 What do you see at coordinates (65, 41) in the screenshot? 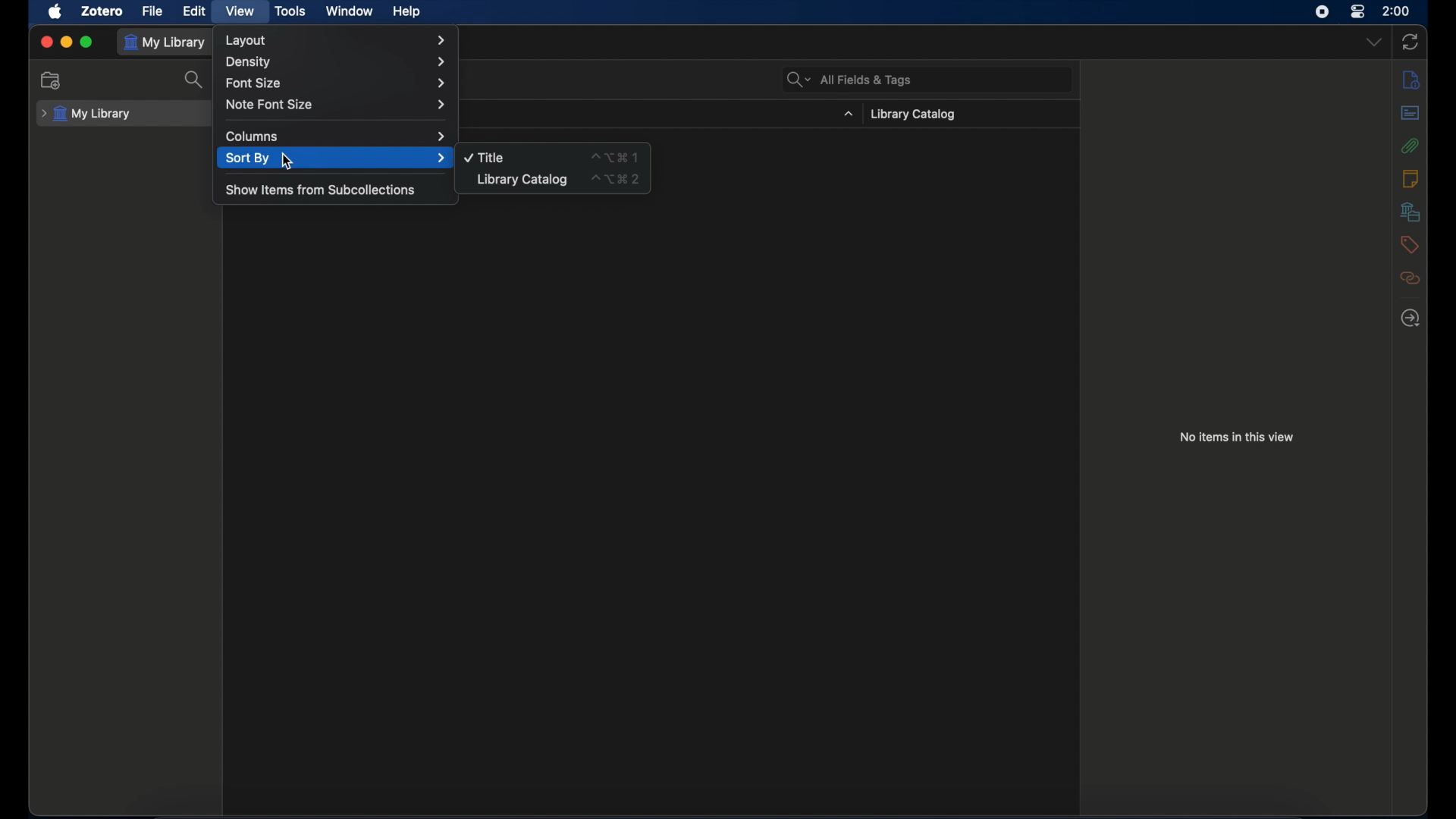
I see `minimize` at bounding box center [65, 41].